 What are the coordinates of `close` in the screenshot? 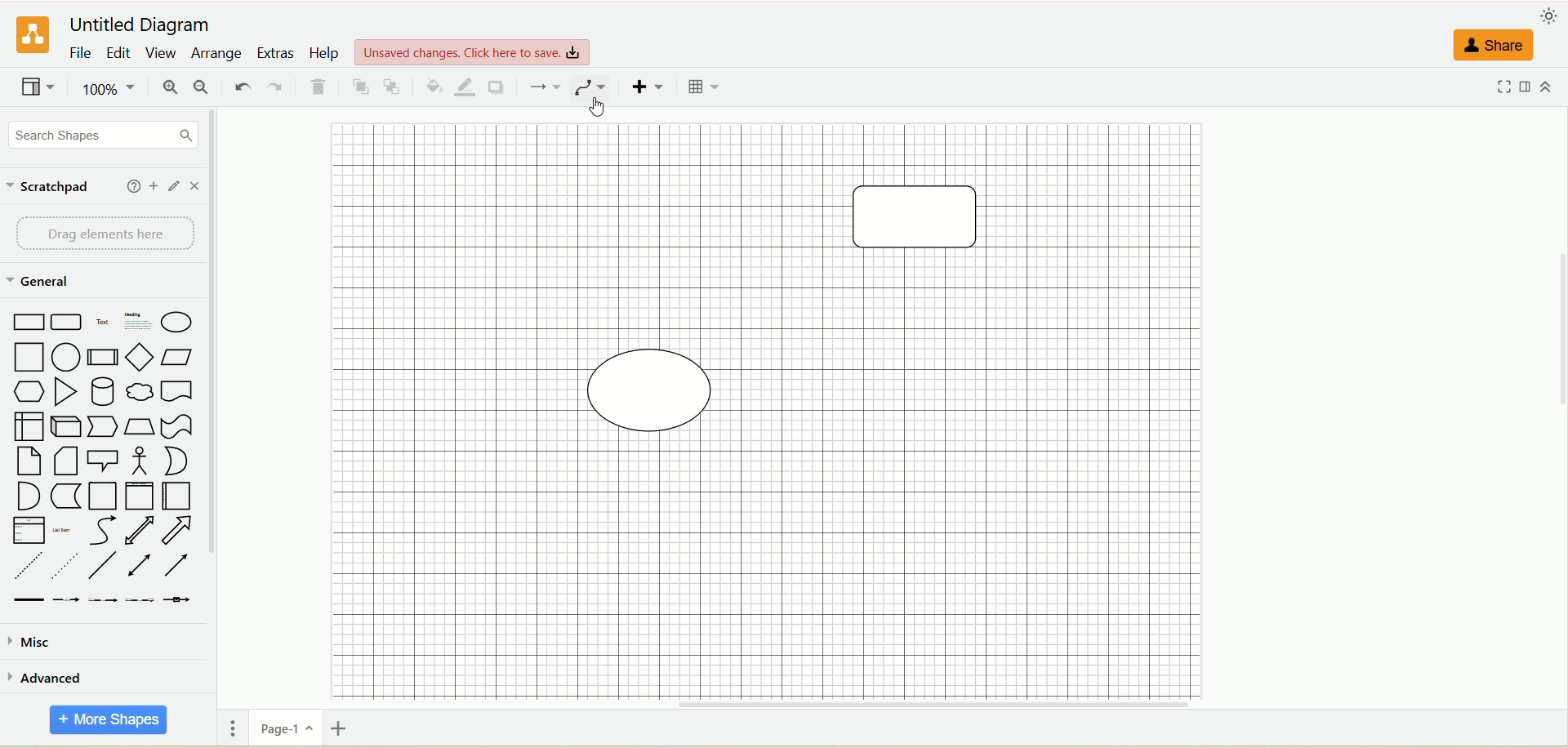 It's located at (198, 186).